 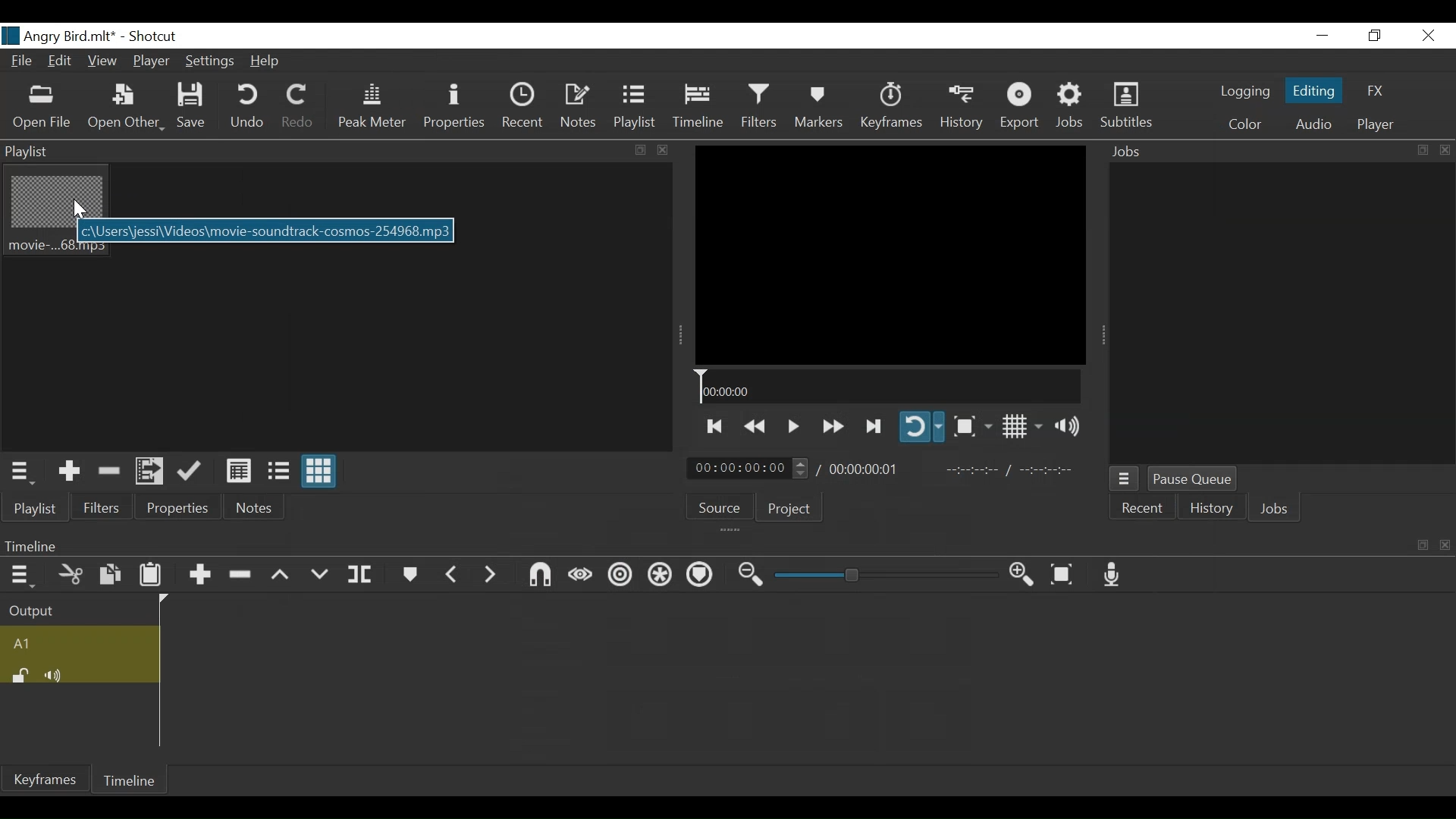 I want to click on Current Duration, so click(x=752, y=468).